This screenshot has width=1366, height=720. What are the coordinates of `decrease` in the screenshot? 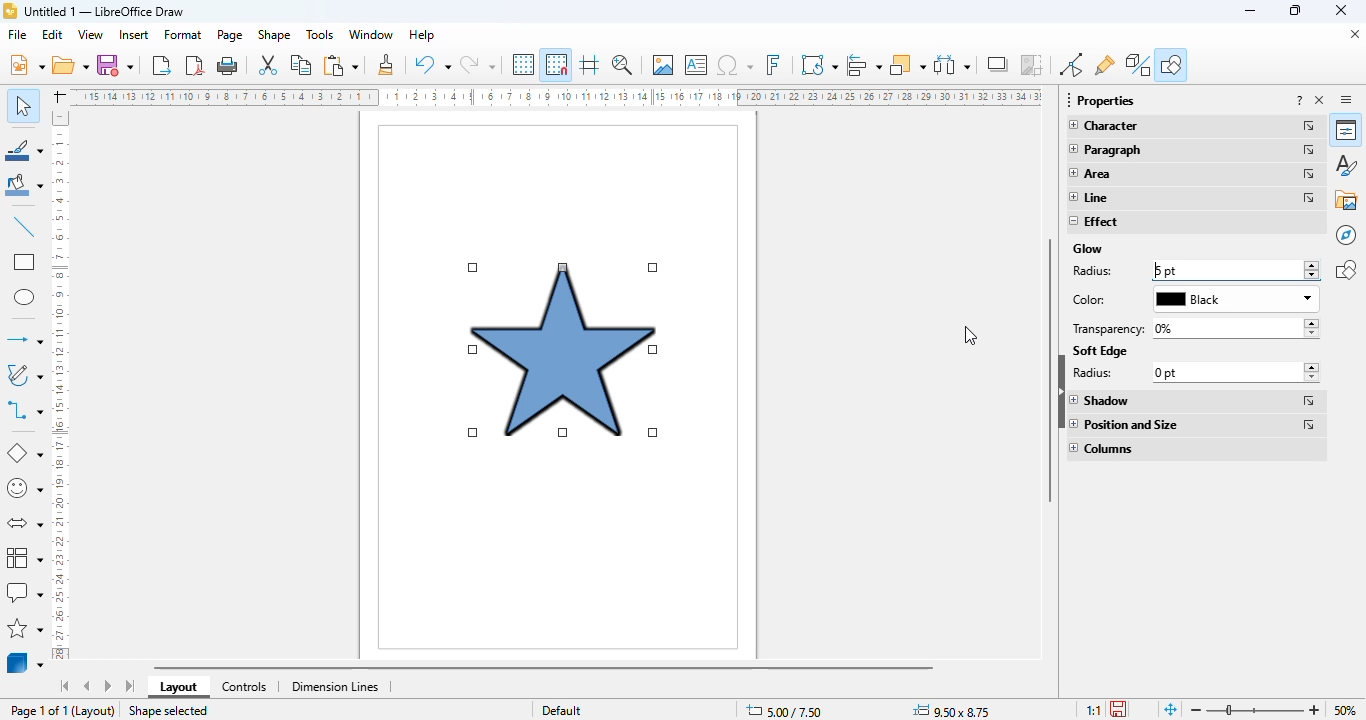 It's located at (1311, 275).